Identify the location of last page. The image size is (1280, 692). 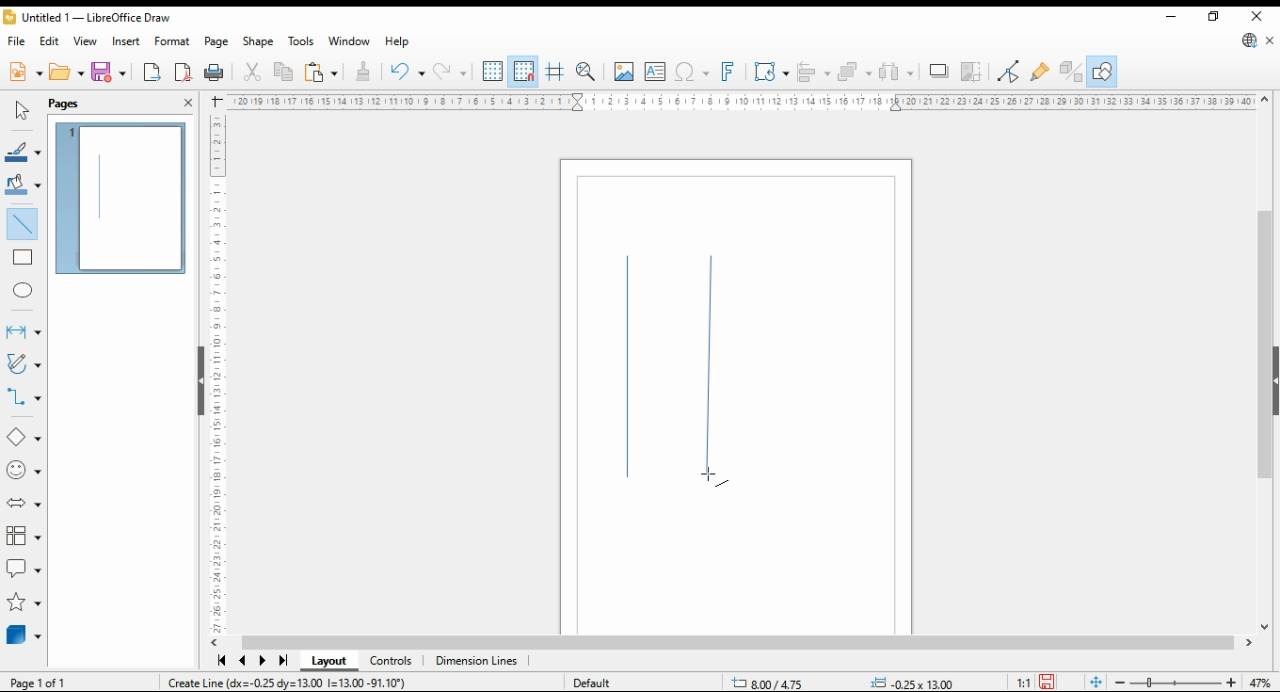
(282, 661).